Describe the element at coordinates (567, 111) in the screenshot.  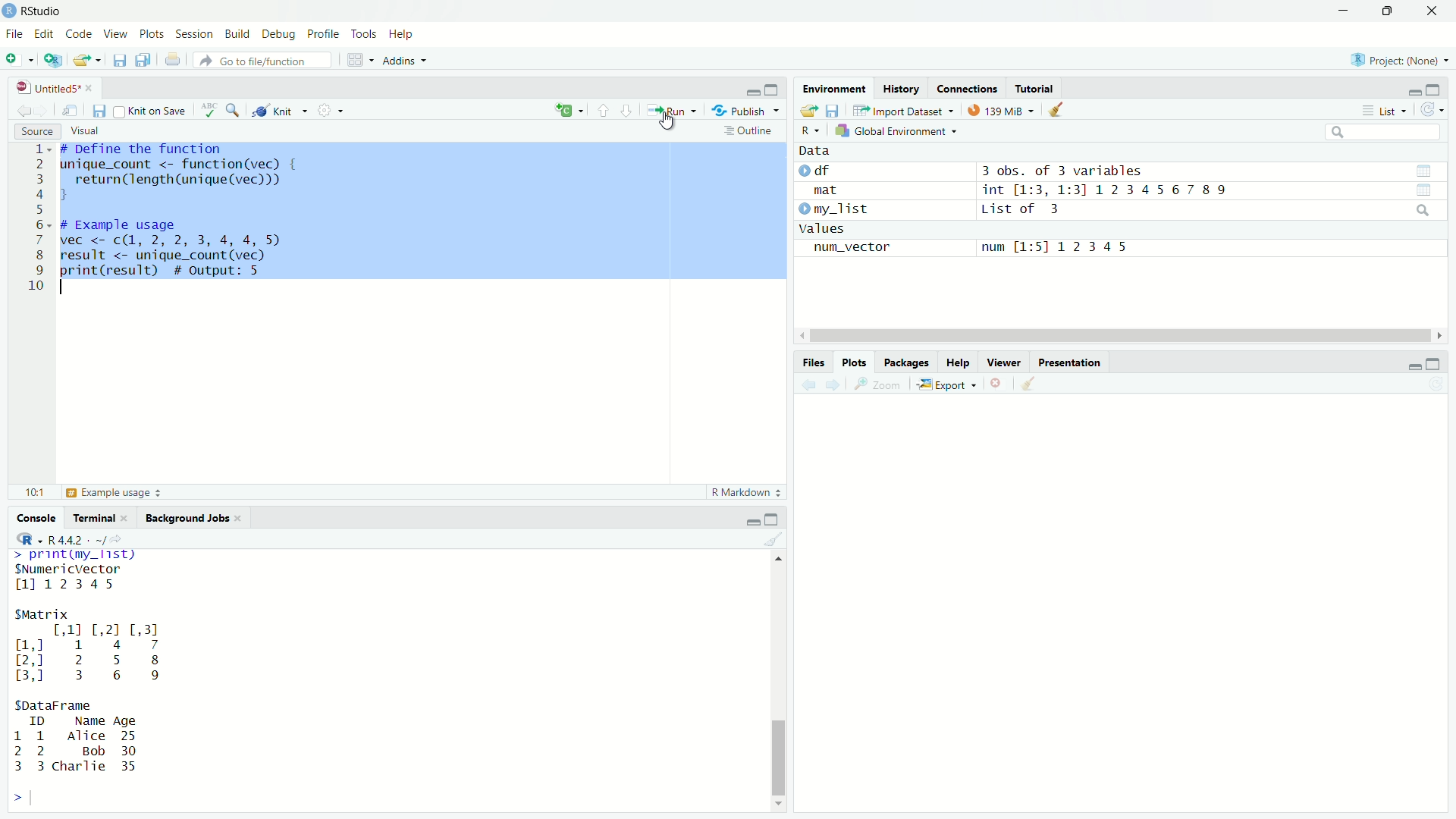
I see `insert new code chunk` at that location.